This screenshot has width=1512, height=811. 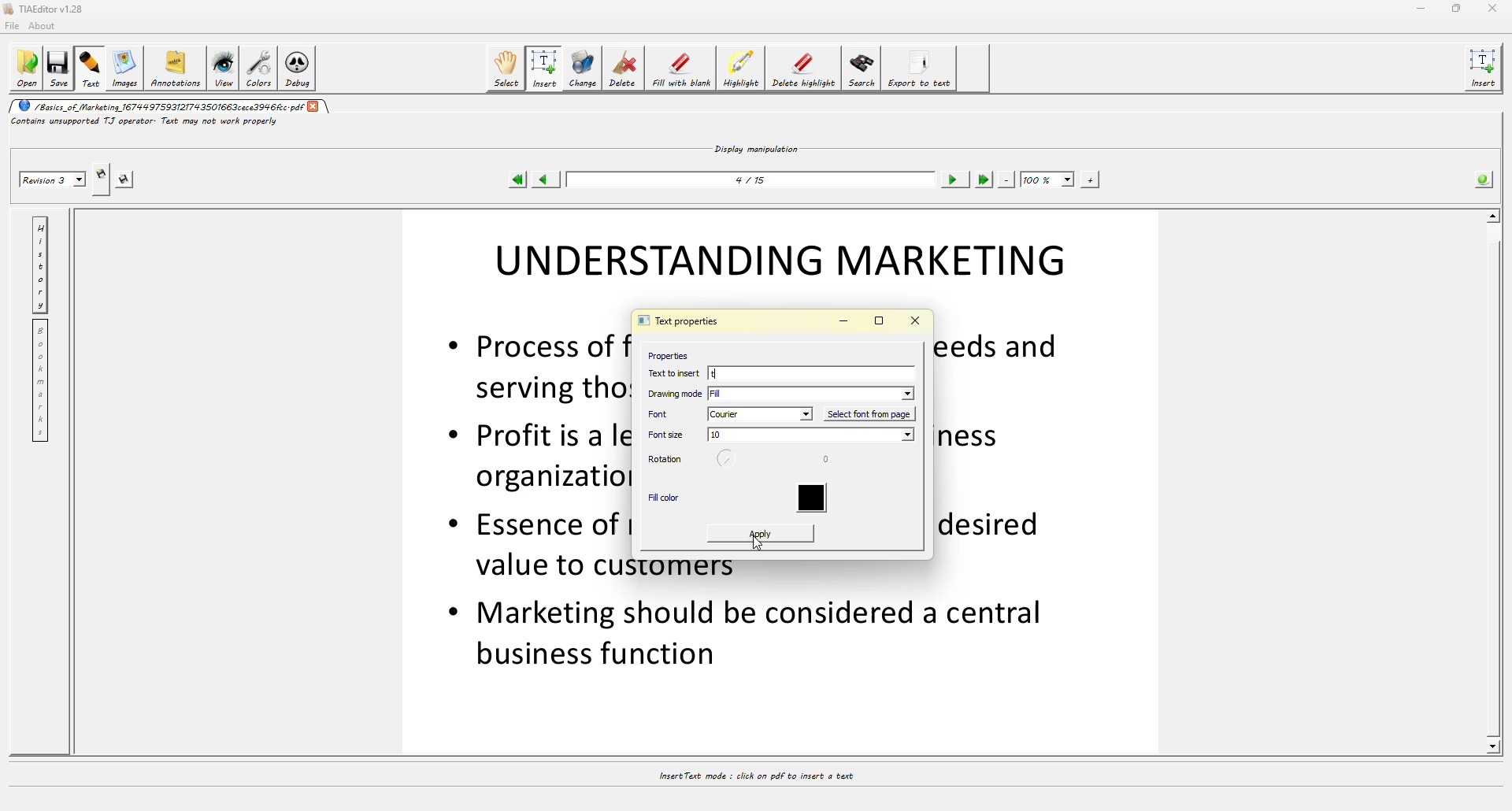 What do you see at coordinates (175, 69) in the screenshot?
I see `annotations` at bounding box center [175, 69].